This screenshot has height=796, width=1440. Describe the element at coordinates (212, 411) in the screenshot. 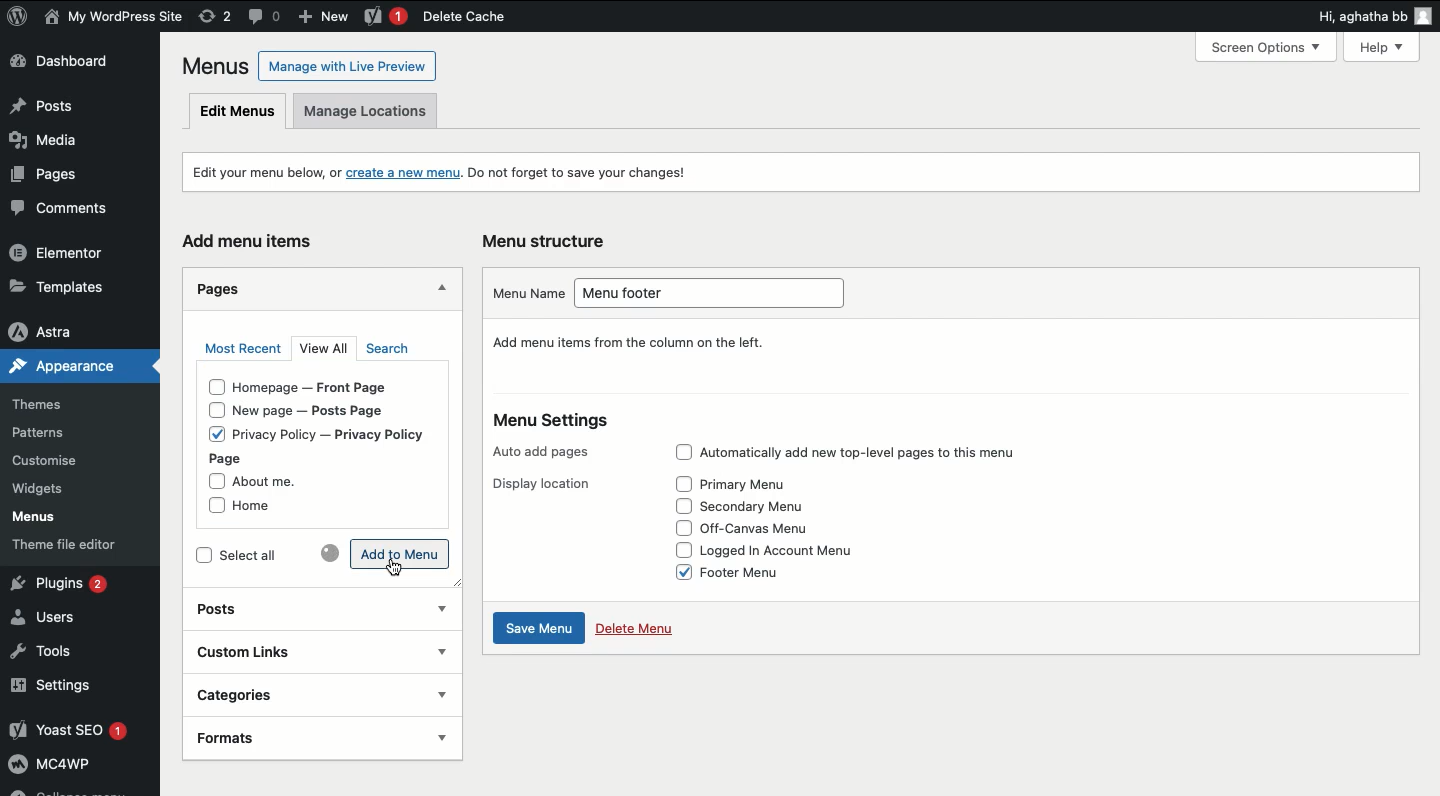

I see `checkbox` at that location.